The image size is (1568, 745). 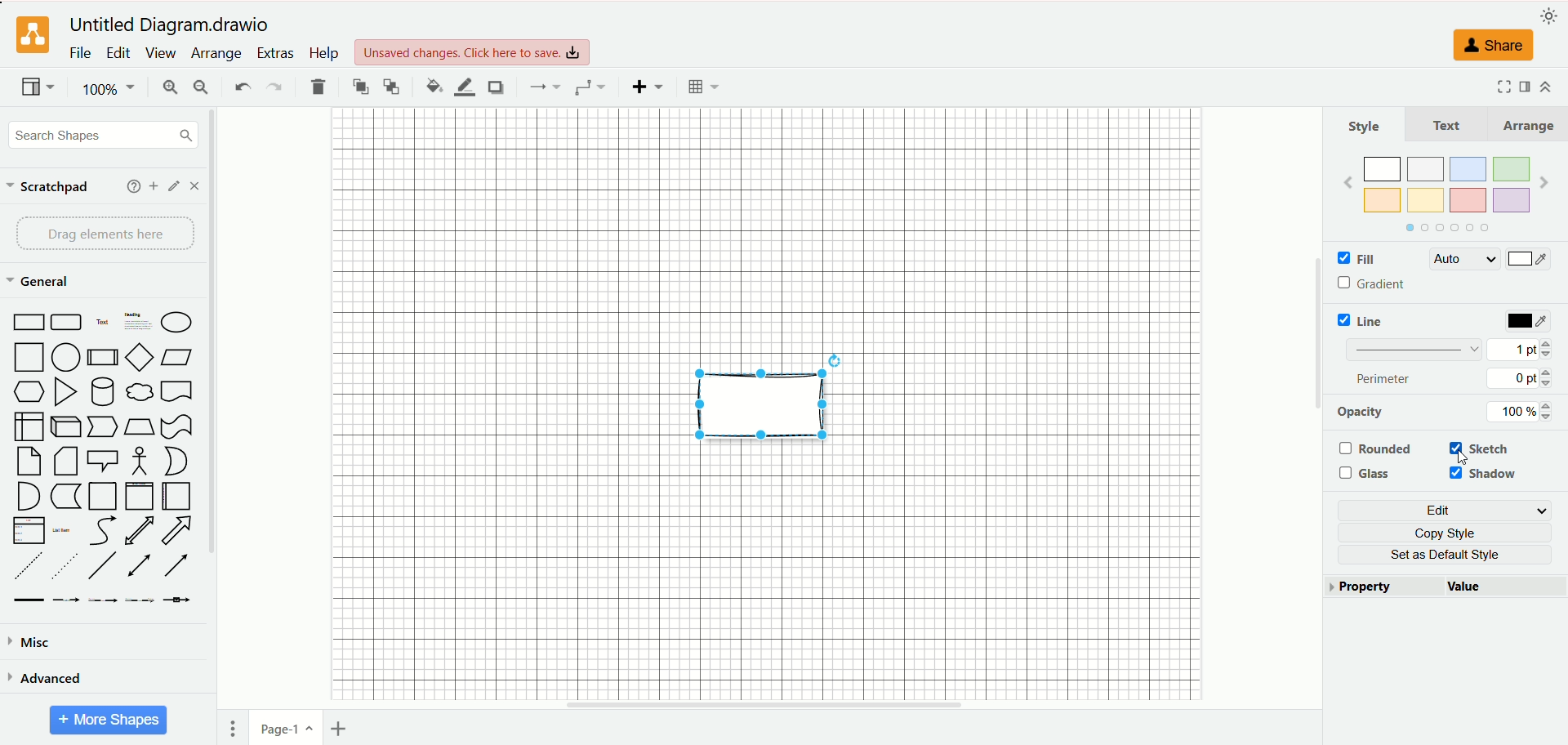 What do you see at coordinates (104, 136) in the screenshot?
I see `search` at bounding box center [104, 136].